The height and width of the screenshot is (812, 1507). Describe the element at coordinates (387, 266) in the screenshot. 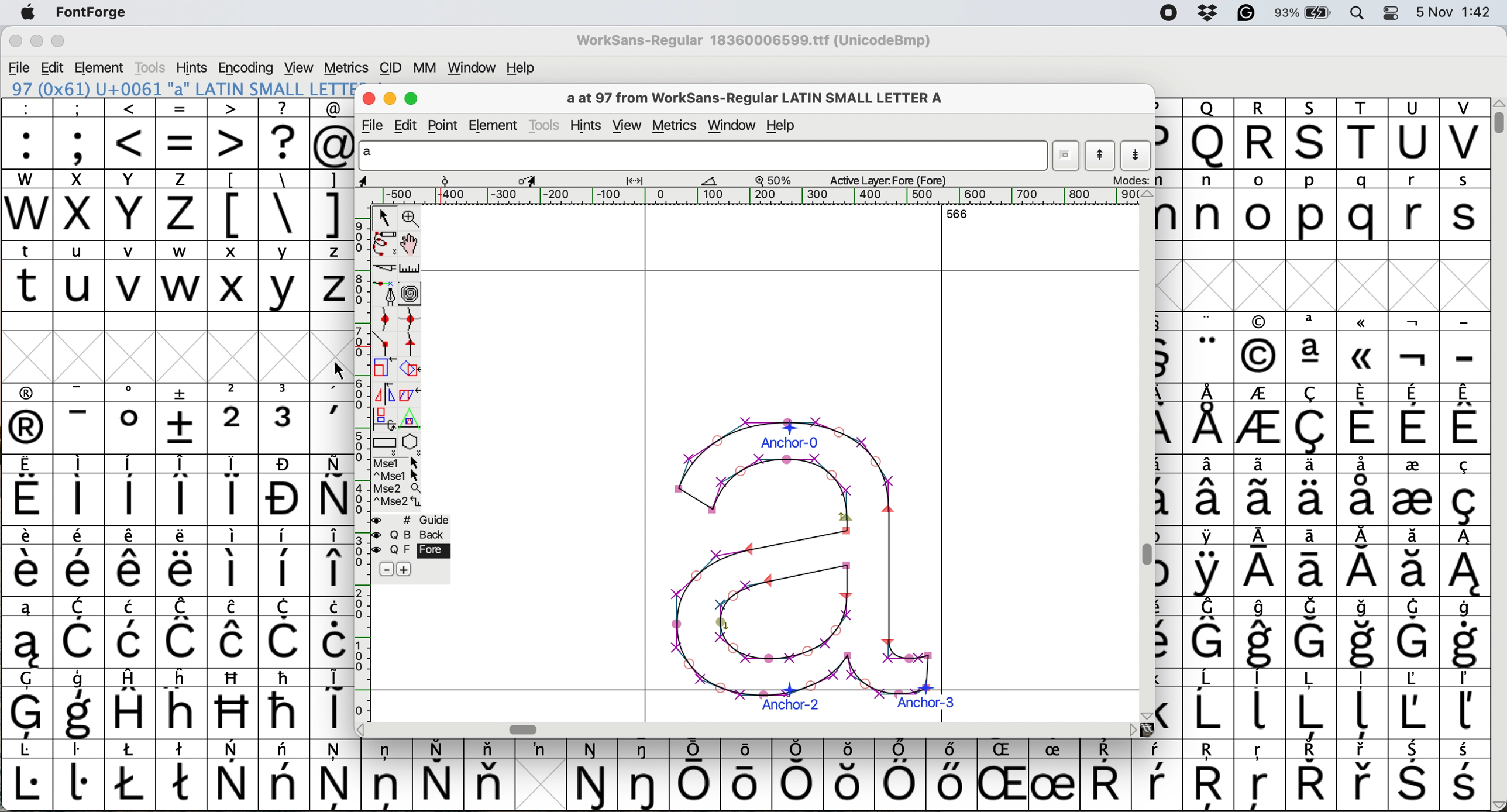

I see `cut splines in two` at that location.